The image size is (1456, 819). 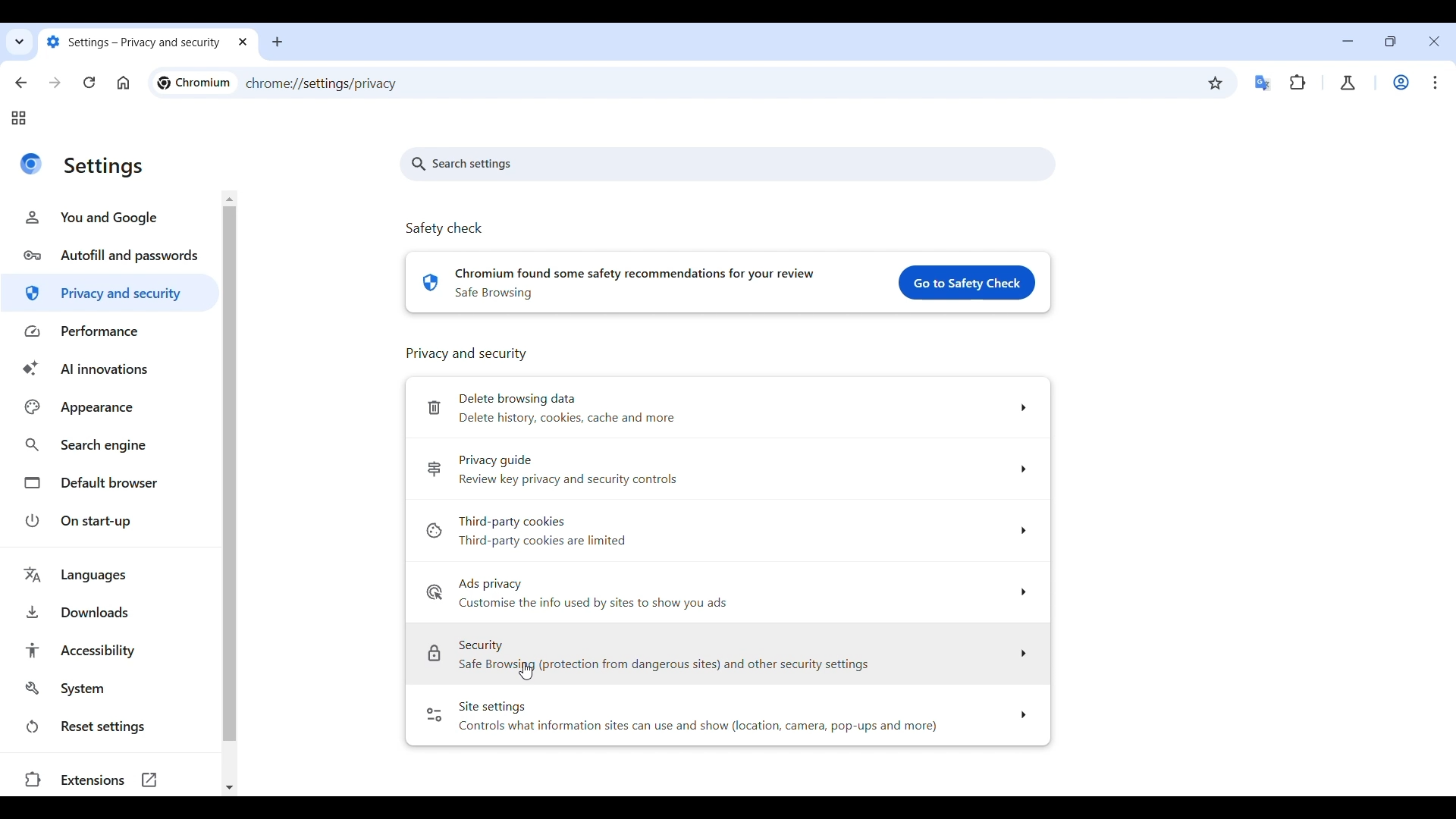 What do you see at coordinates (22, 83) in the screenshot?
I see `Go back` at bounding box center [22, 83].